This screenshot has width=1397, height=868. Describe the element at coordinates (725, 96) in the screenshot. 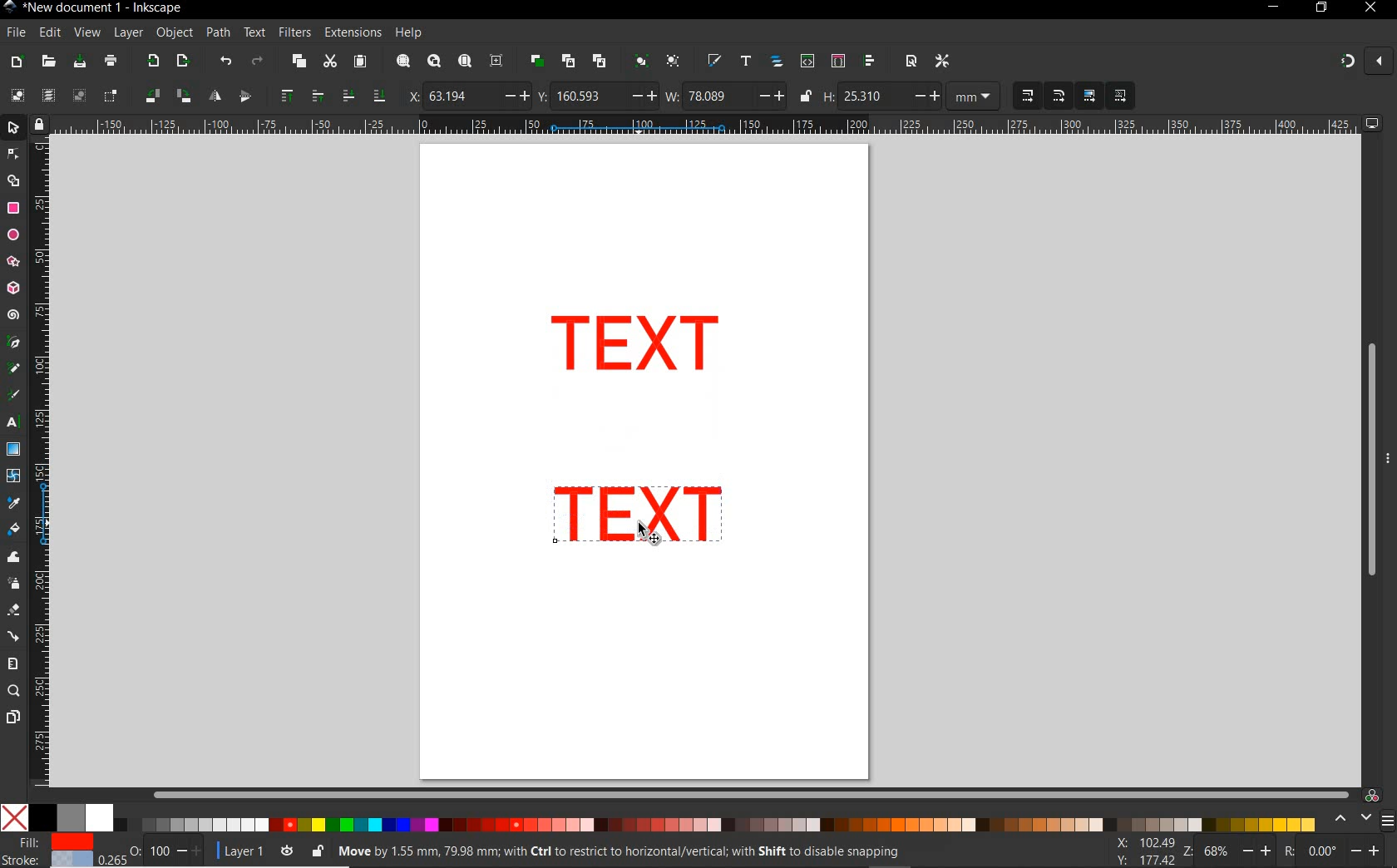

I see `width of selection` at that location.